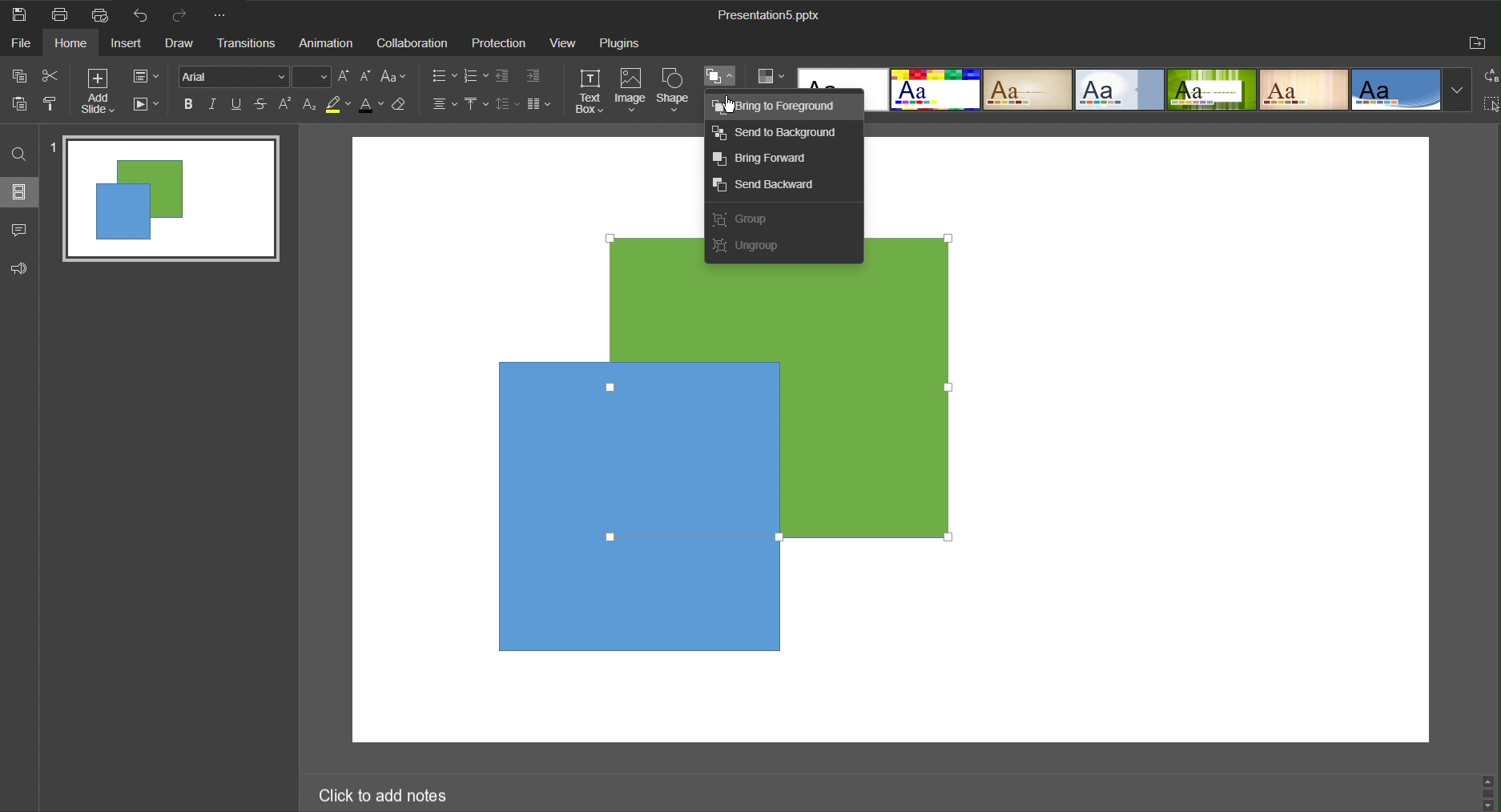 Image resolution: width=1501 pixels, height=812 pixels. I want to click on Subscript, so click(309, 105).